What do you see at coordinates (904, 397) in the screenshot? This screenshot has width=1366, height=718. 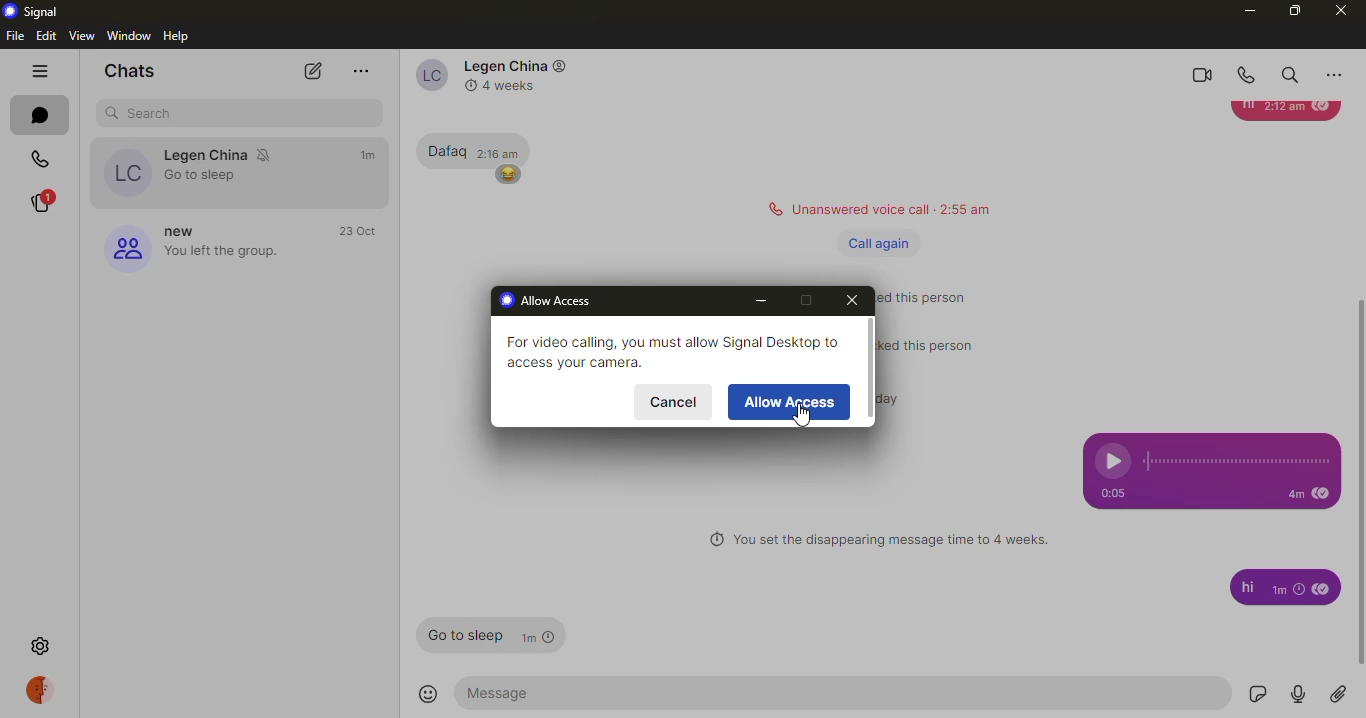 I see `today` at bounding box center [904, 397].